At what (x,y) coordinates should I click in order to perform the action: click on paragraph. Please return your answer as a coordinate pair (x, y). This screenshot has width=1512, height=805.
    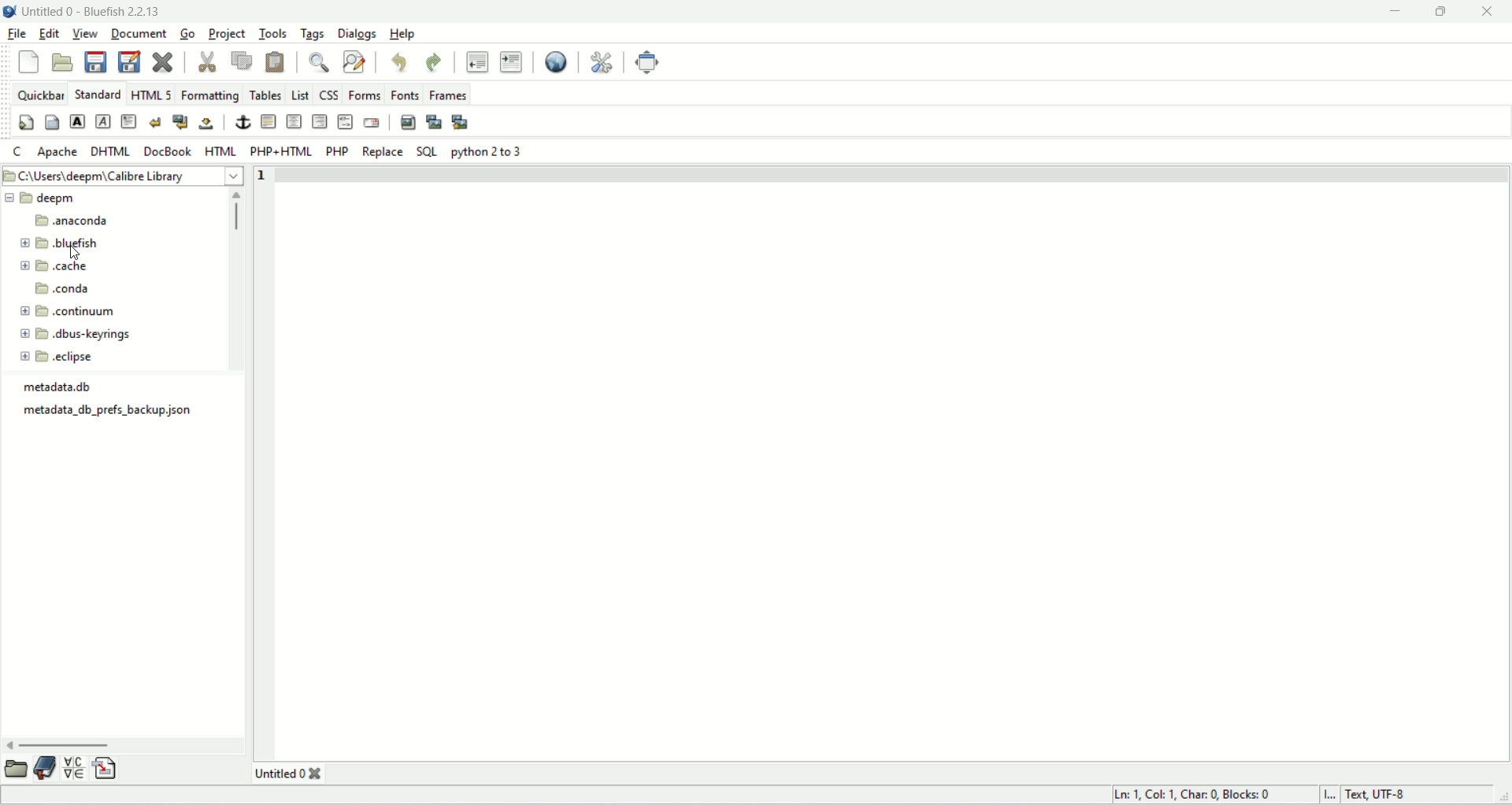
    Looking at the image, I should click on (132, 121).